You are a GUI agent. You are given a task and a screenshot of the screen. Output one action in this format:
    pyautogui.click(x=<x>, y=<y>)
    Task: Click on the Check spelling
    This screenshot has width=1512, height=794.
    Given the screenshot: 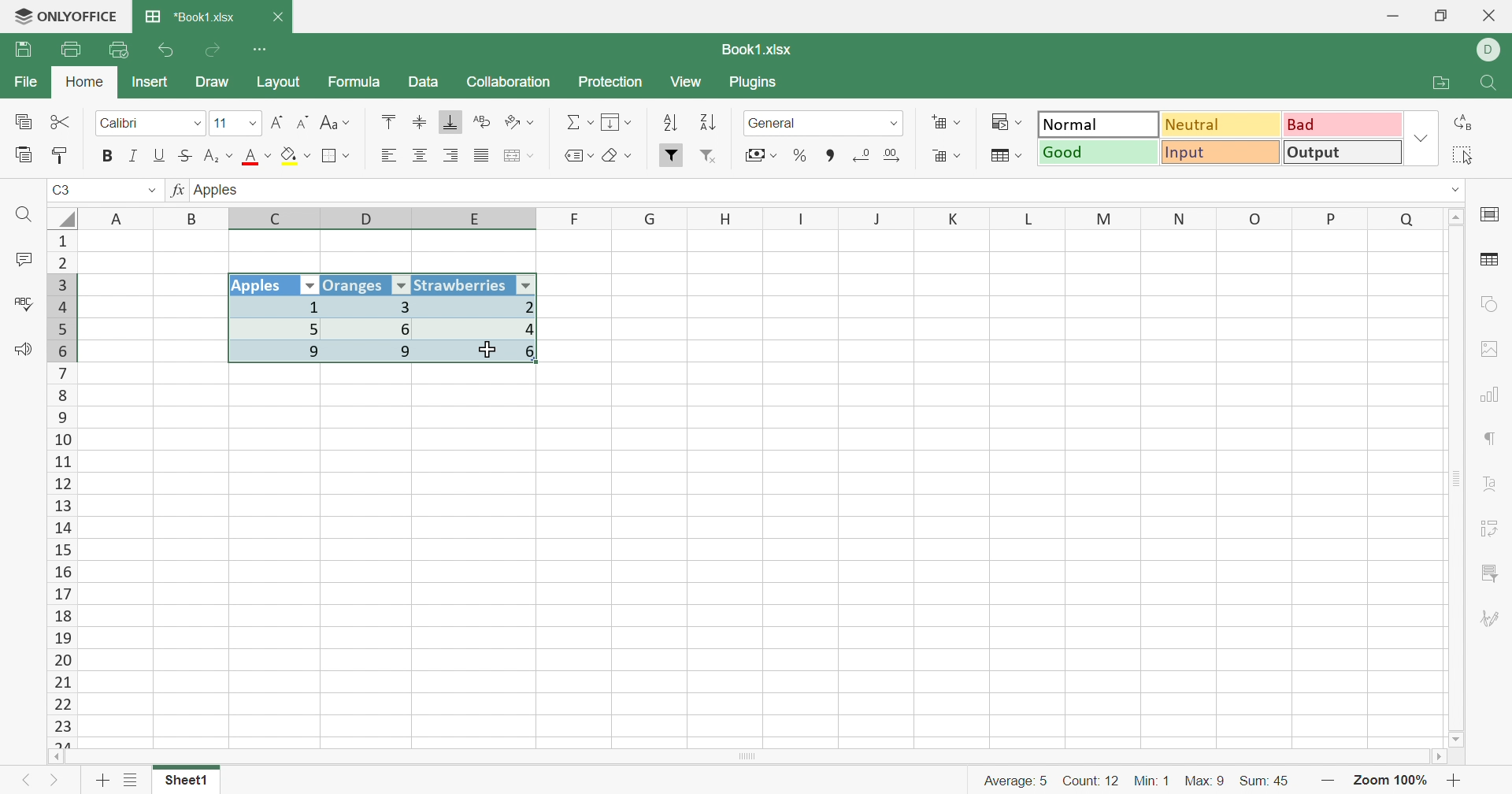 What is the action you would take?
    pyautogui.click(x=21, y=304)
    